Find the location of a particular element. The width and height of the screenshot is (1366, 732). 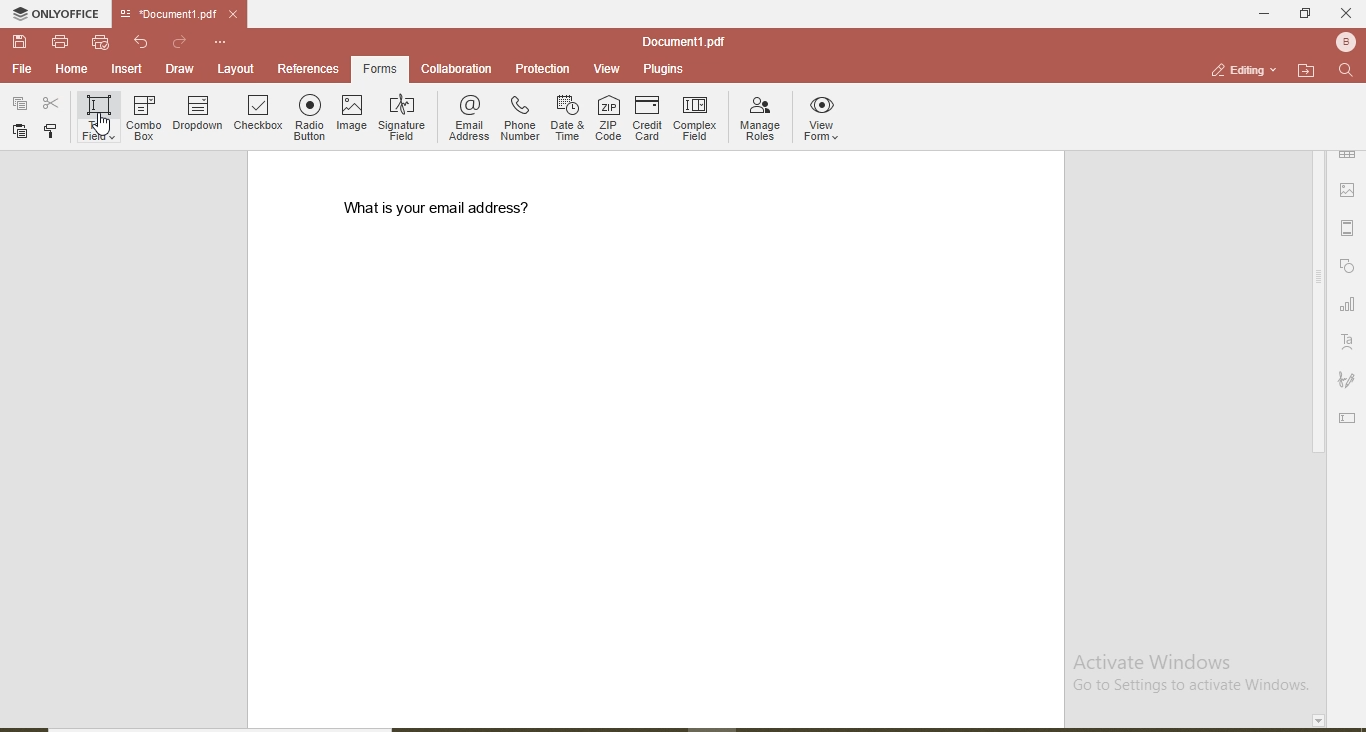

layout is located at coordinates (237, 68).